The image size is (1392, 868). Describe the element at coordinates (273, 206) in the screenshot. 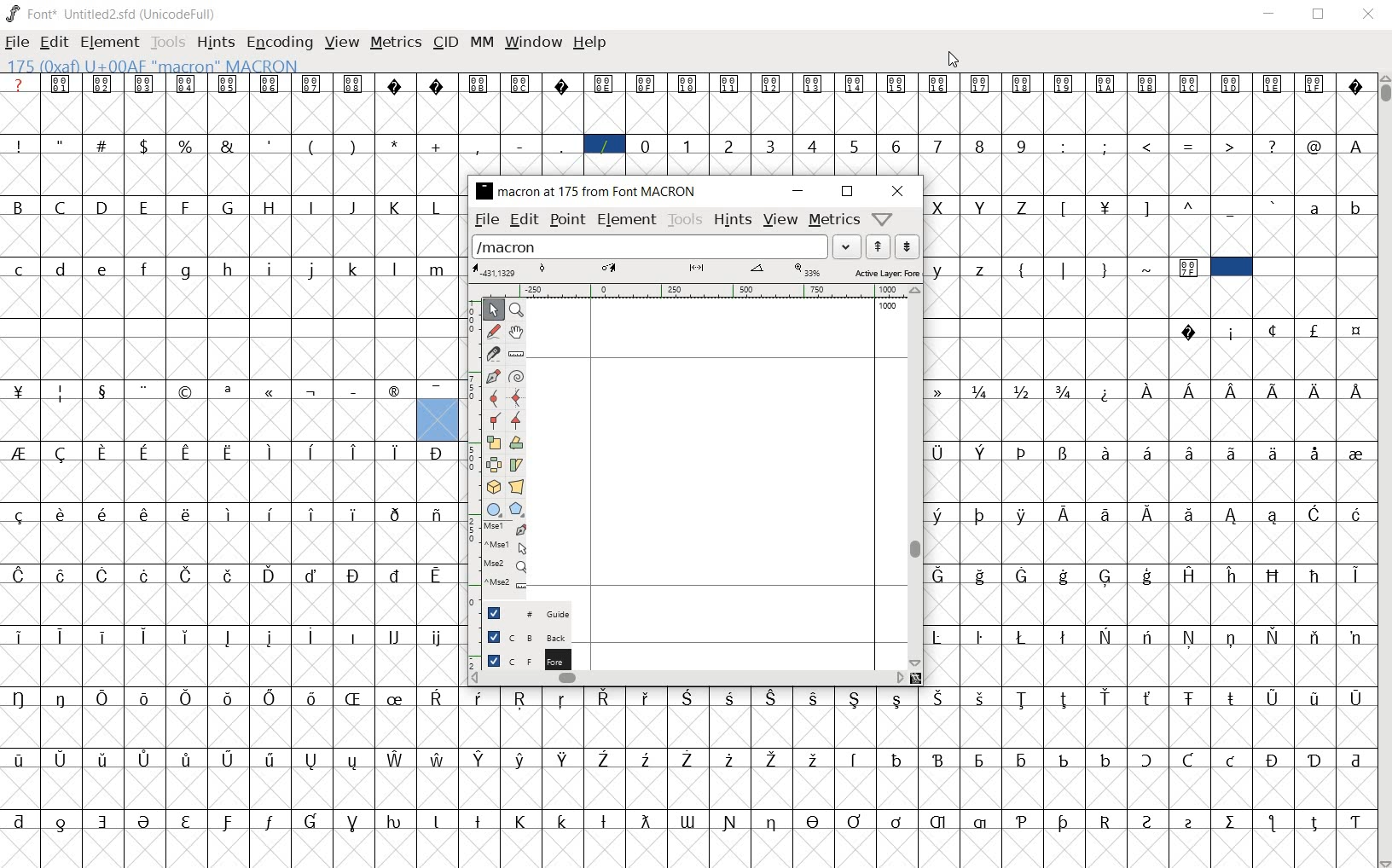

I see `H` at that location.